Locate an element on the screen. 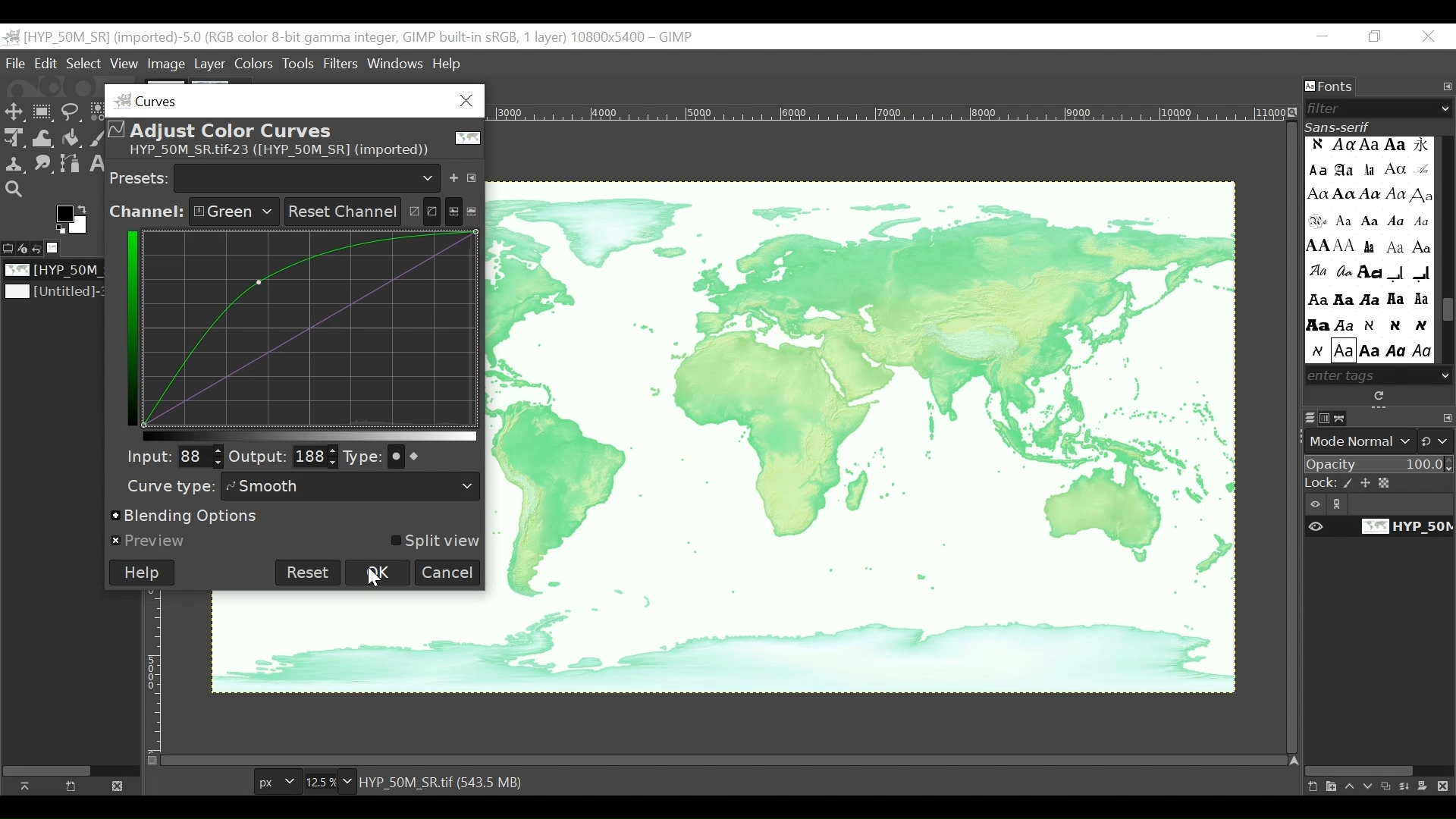 This screenshot has height=819, width=1456. Channel Selection is located at coordinates (193, 212).